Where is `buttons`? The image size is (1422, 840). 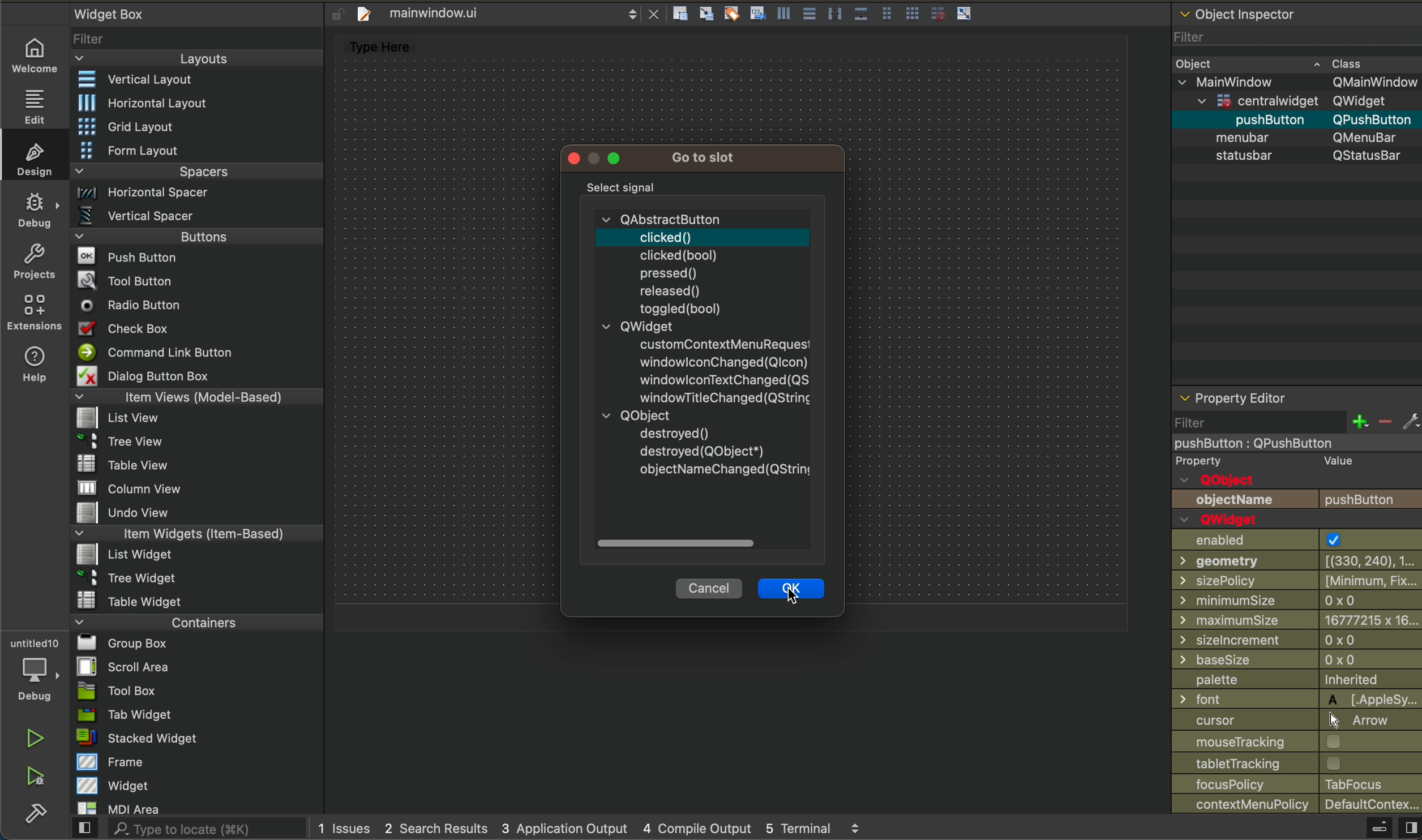 buttons is located at coordinates (195, 237).